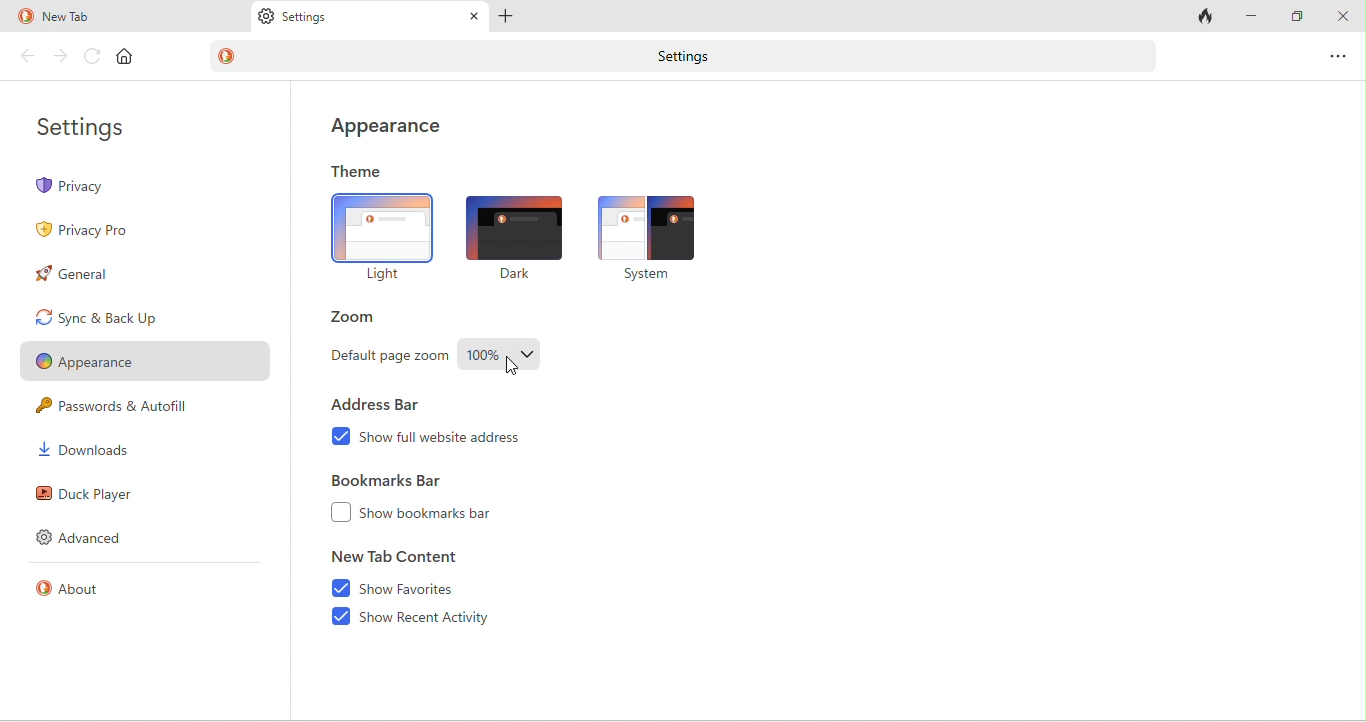  Describe the element at coordinates (91, 228) in the screenshot. I see `privacy pro` at that location.